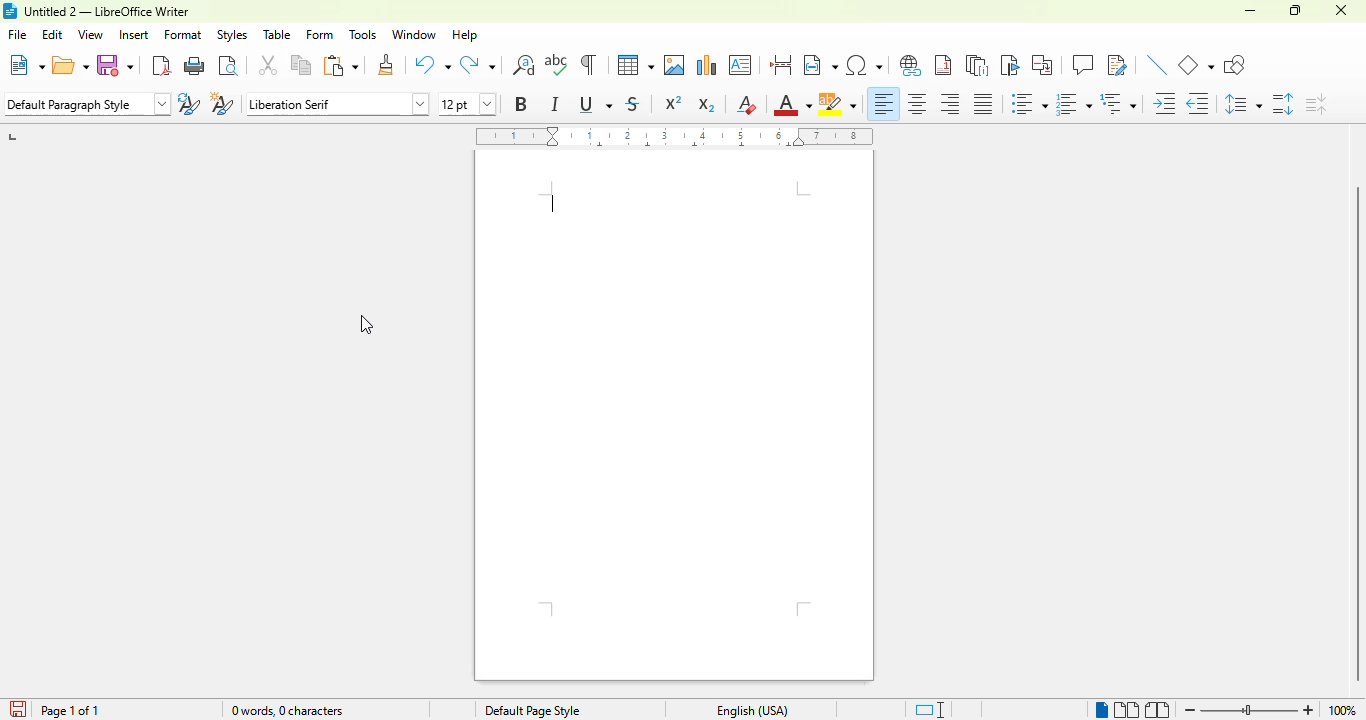 The width and height of the screenshot is (1366, 720). What do you see at coordinates (301, 65) in the screenshot?
I see `copy` at bounding box center [301, 65].